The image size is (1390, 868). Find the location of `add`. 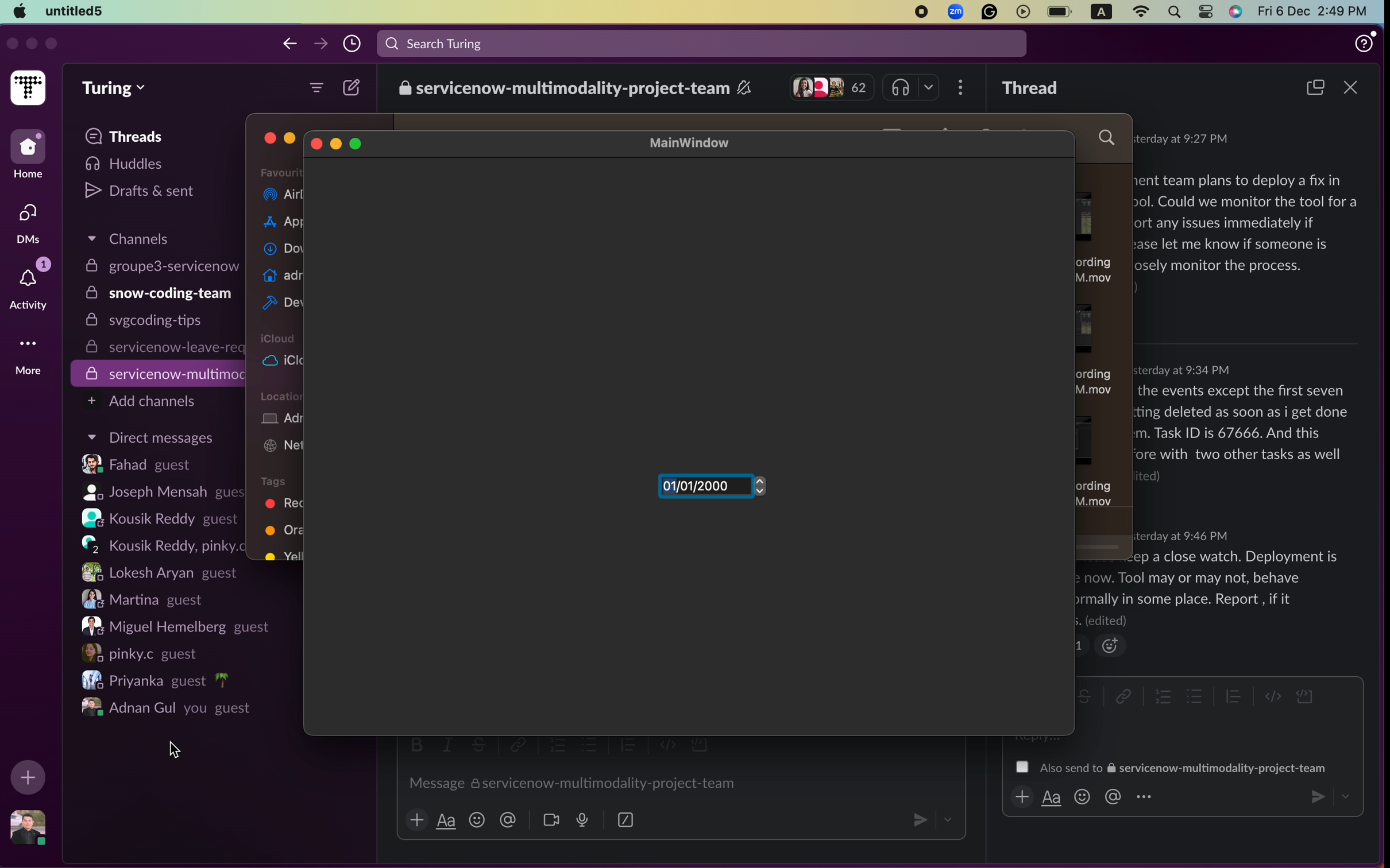

add is located at coordinates (1019, 797).